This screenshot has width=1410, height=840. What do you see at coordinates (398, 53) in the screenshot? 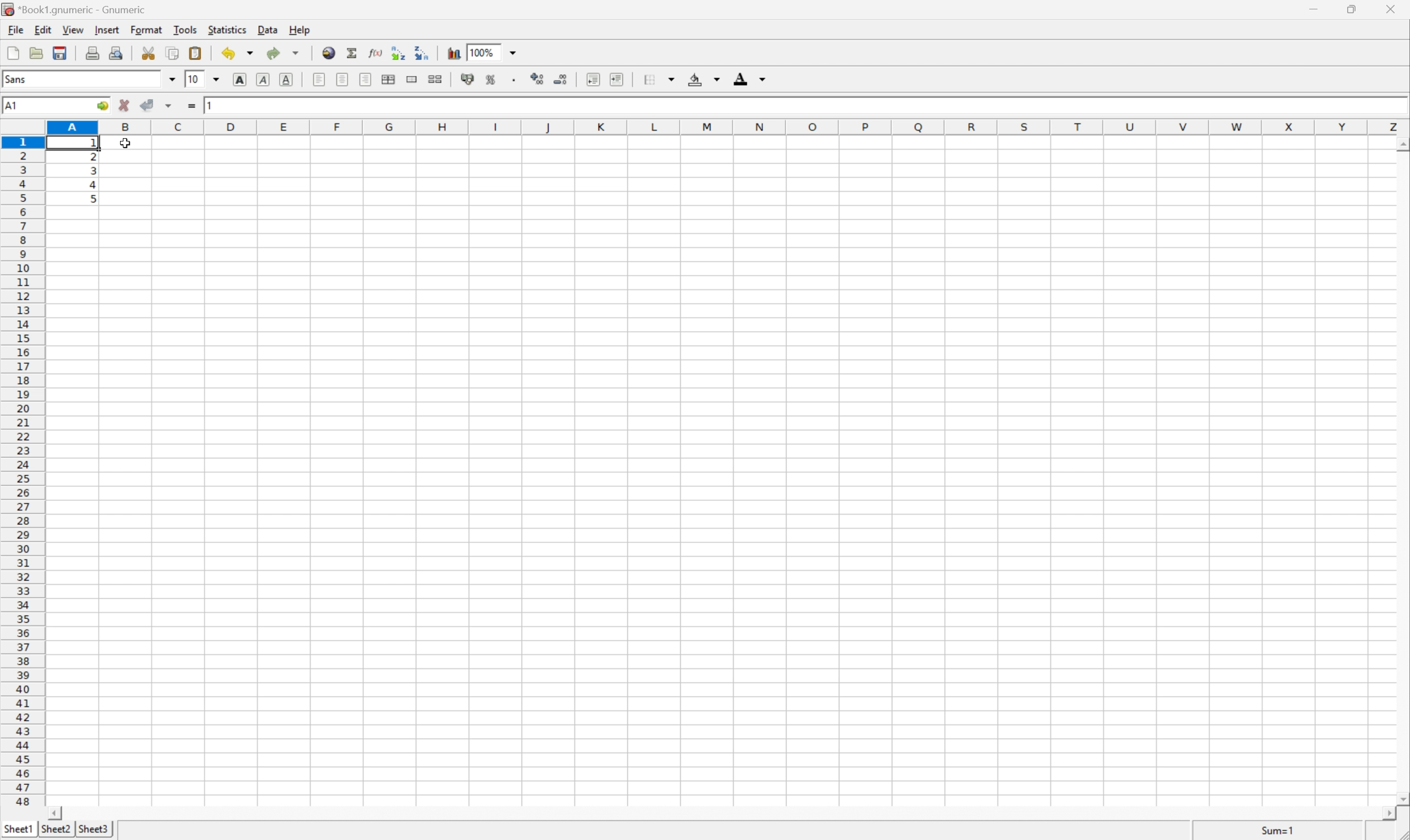
I see `Sort the selected region in ascending order based on the first column selected` at bounding box center [398, 53].